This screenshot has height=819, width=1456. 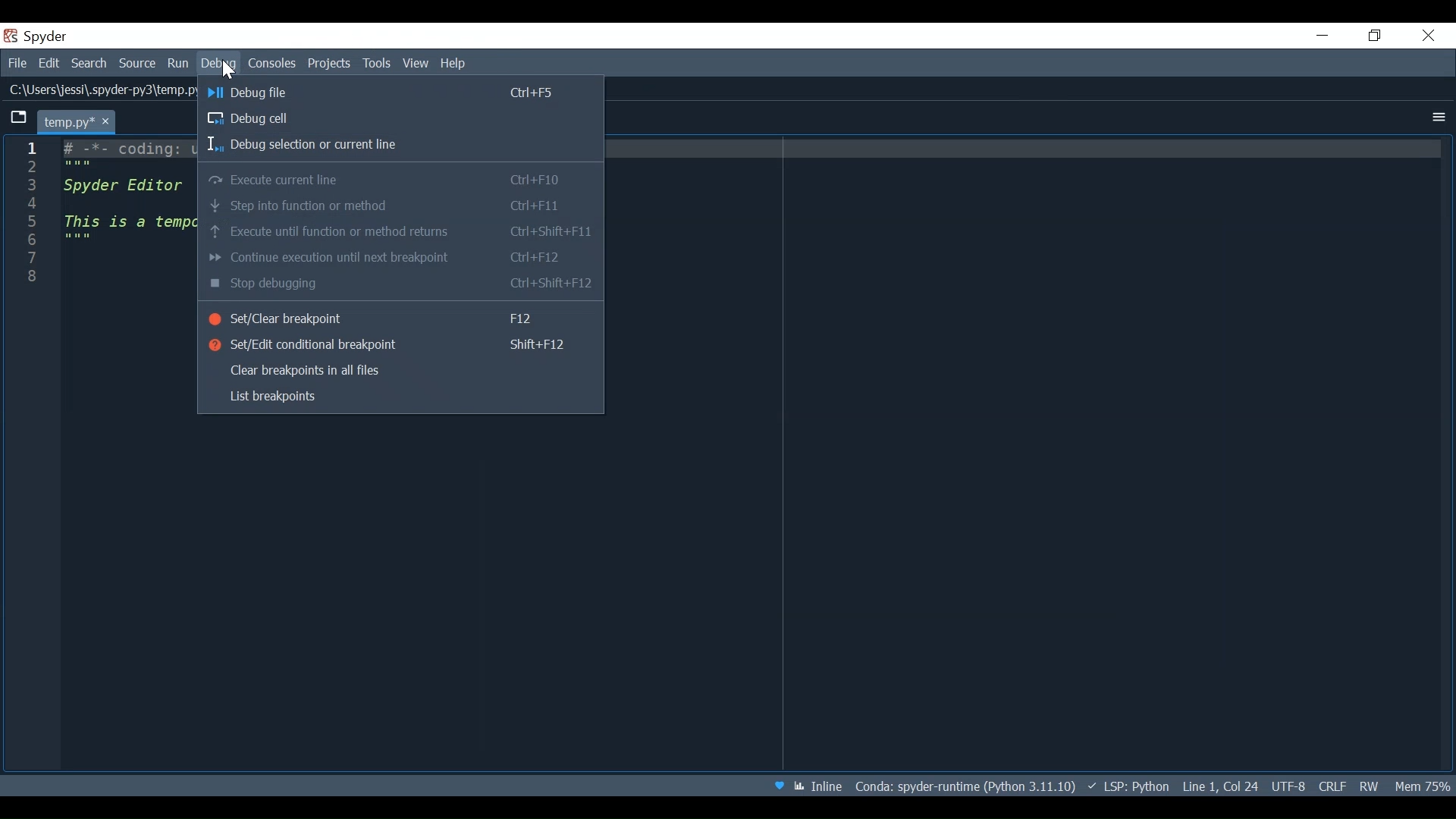 I want to click on minimize, so click(x=1323, y=36).